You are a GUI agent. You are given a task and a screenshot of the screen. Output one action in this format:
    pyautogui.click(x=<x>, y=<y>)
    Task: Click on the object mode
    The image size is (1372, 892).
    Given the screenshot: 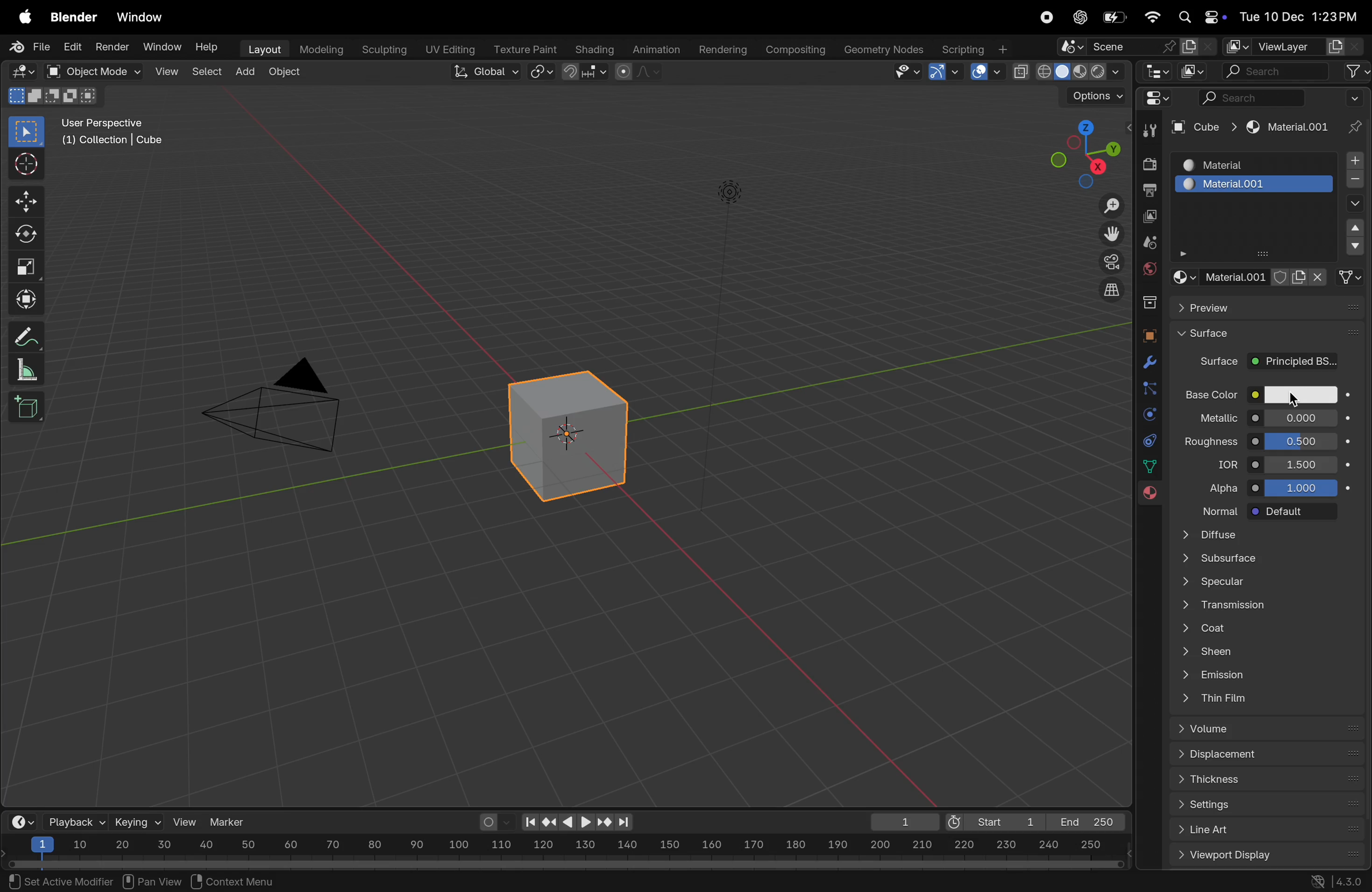 What is the action you would take?
    pyautogui.click(x=88, y=71)
    